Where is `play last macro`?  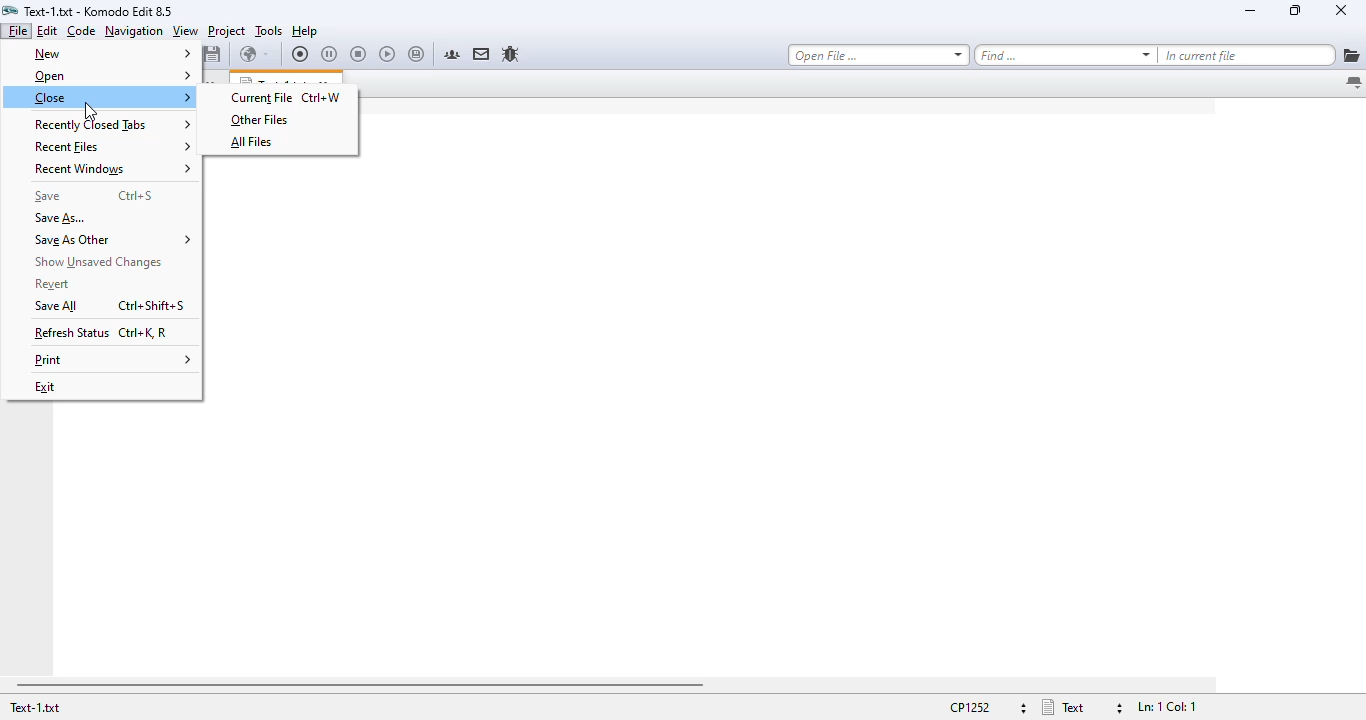
play last macro is located at coordinates (388, 55).